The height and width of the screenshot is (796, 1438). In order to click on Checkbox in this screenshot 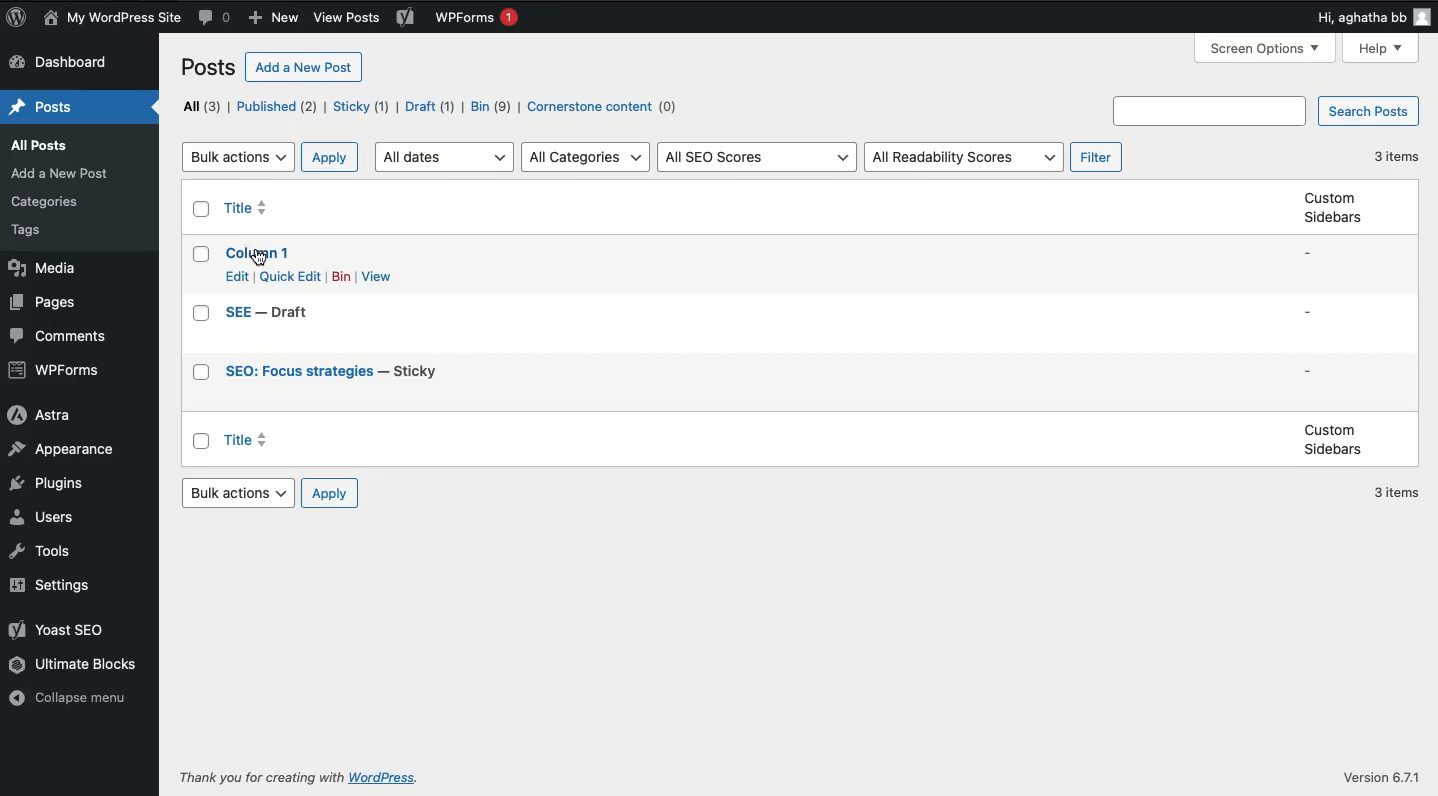, I will do `click(202, 440)`.